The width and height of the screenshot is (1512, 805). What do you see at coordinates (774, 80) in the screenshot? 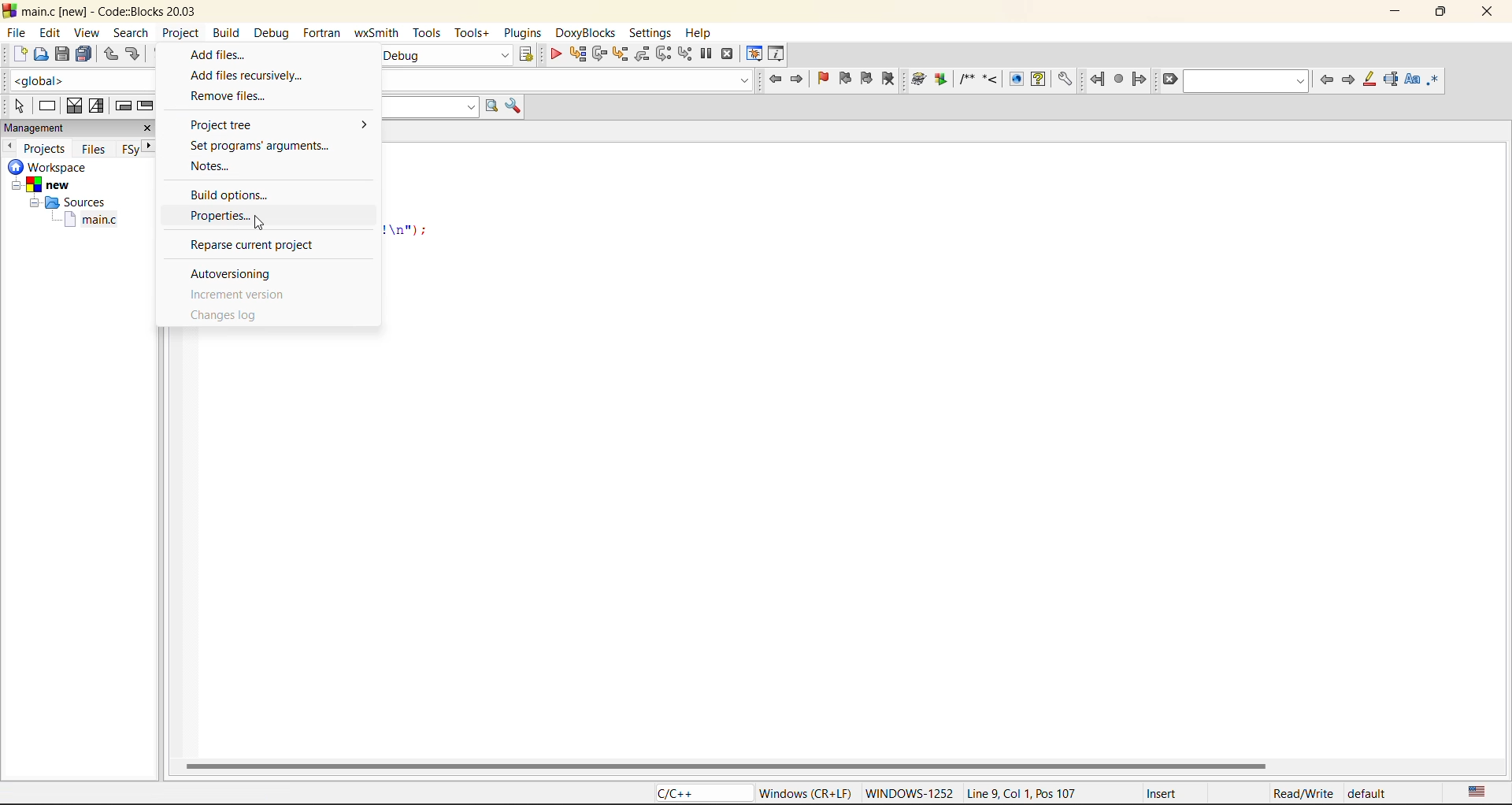
I see `jump back` at bounding box center [774, 80].